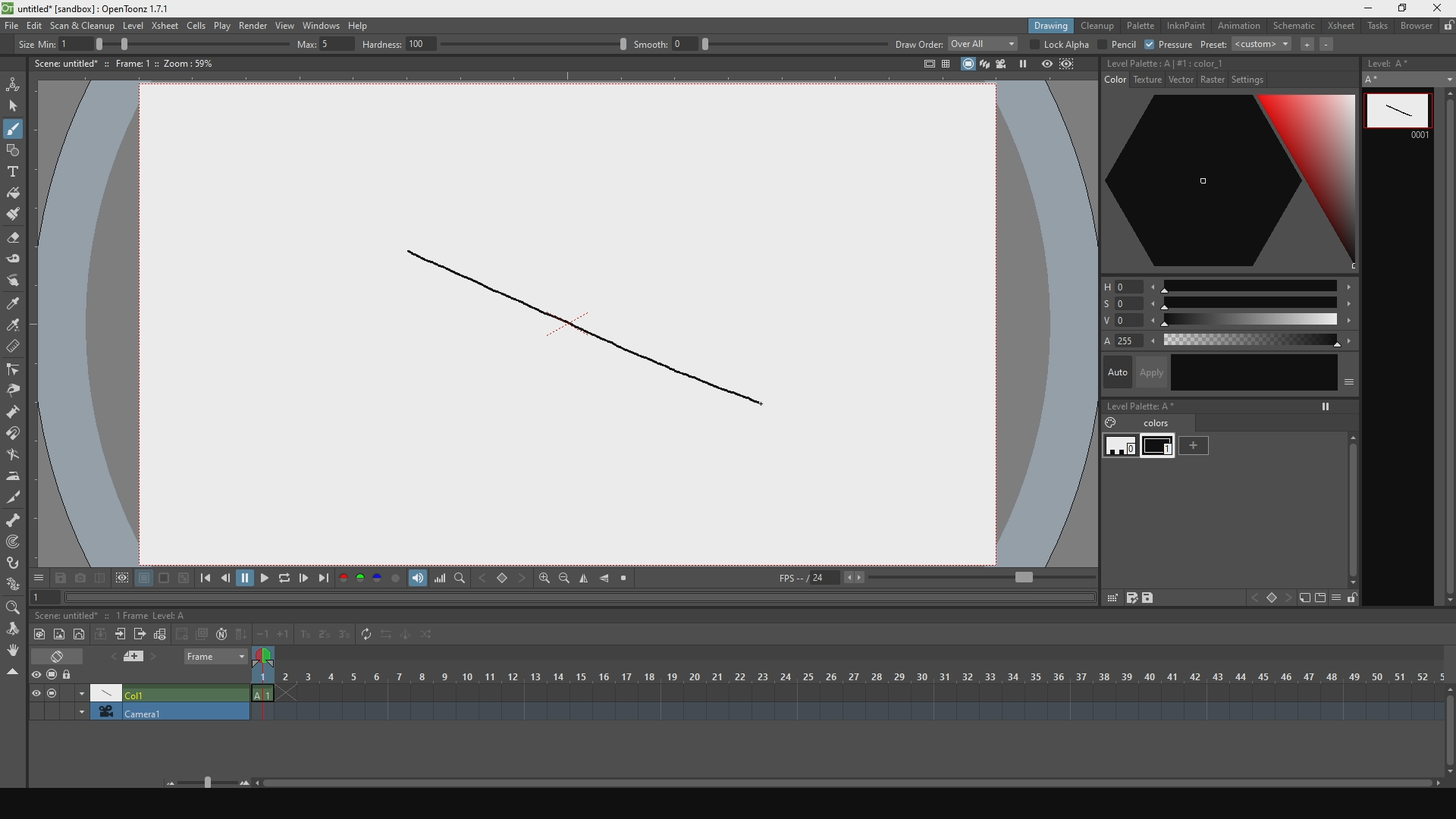 The height and width of the screenshot is (819, 1456). What do you see at coordinates (1159, 65) in the screenshot?
I see `no style selecte` at bounding box center [1159, 65].